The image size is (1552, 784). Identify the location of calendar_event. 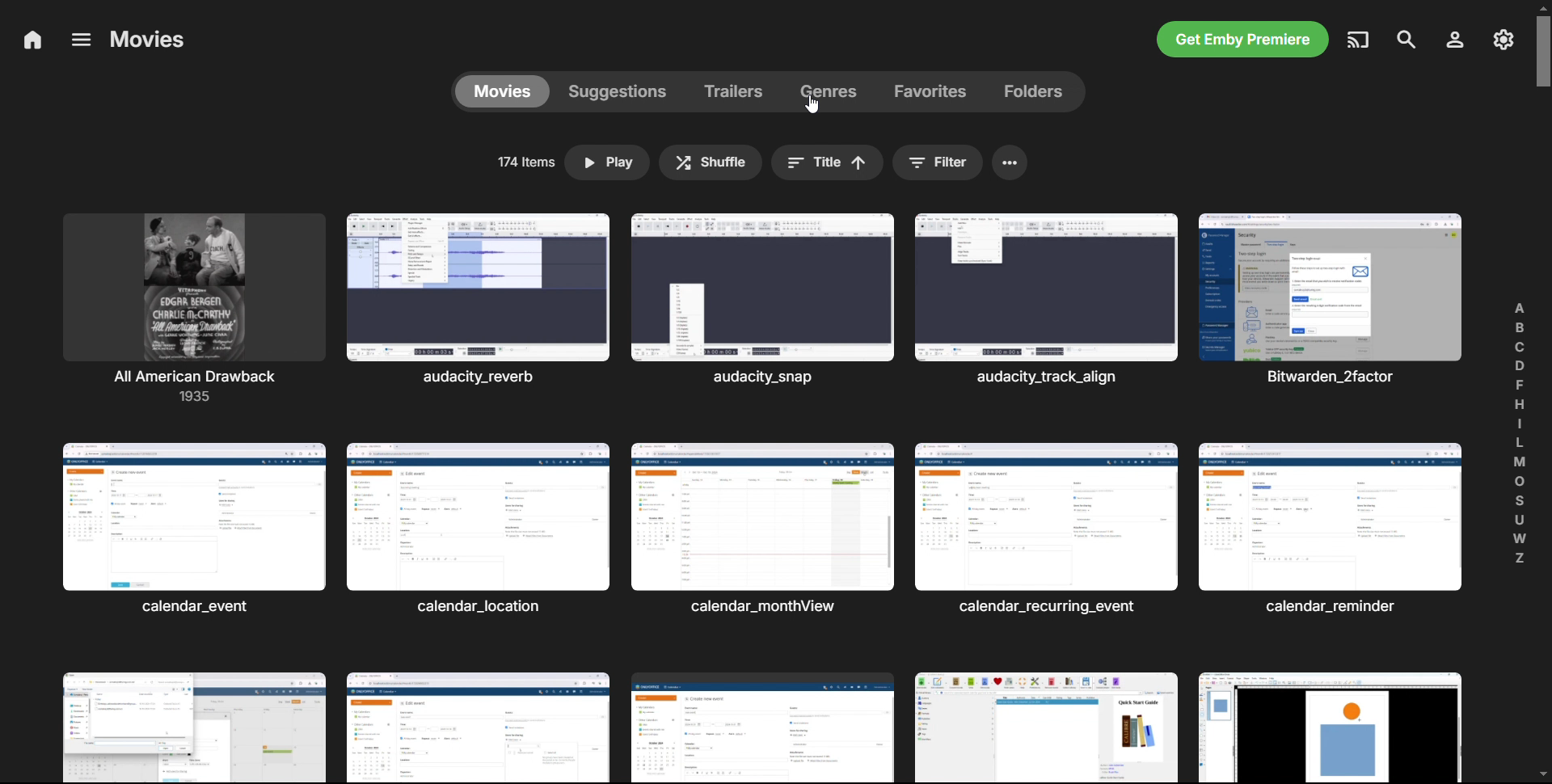
(193, 530).